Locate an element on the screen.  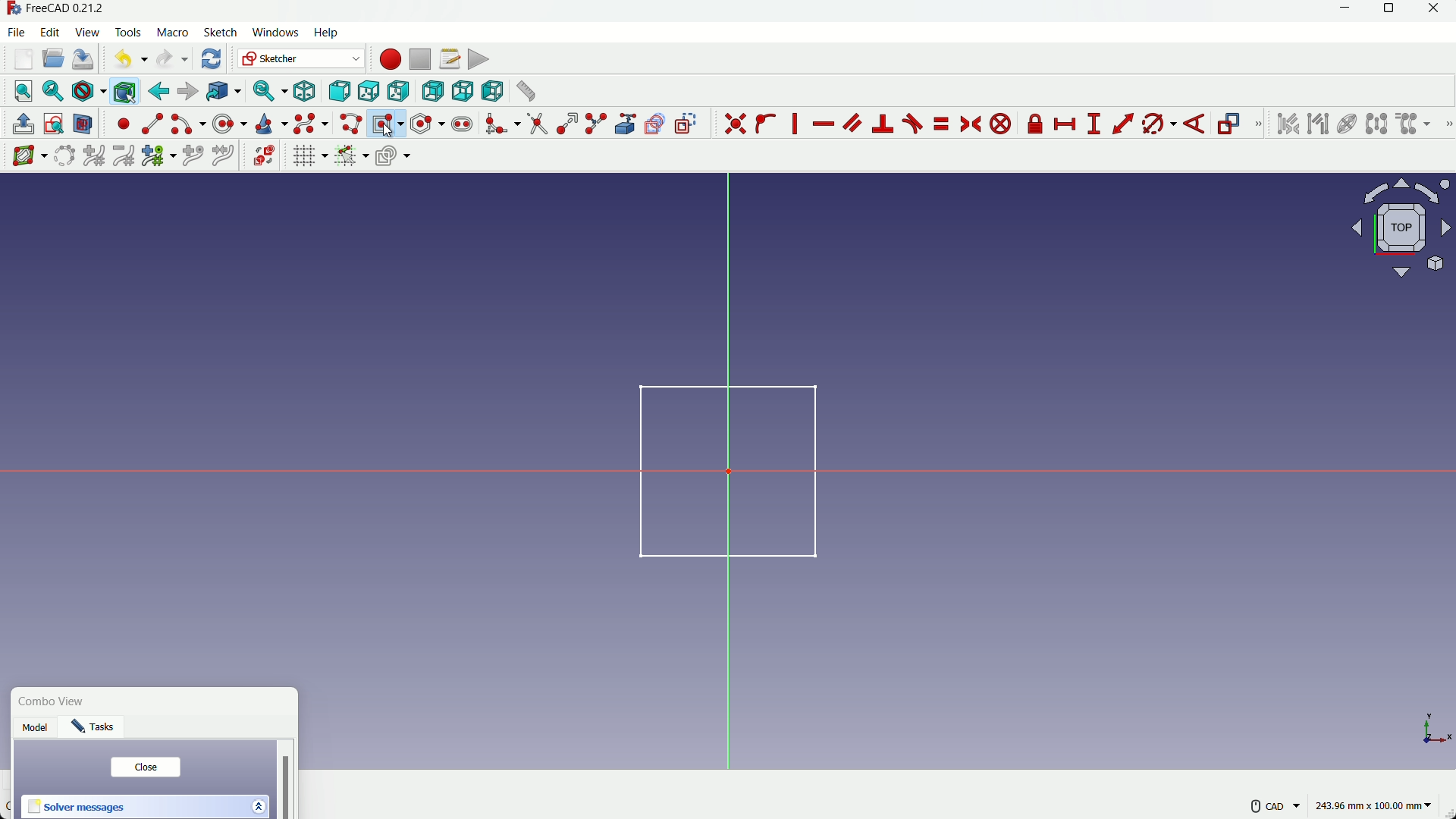
toggle grid is located at coordinates (309, 155).